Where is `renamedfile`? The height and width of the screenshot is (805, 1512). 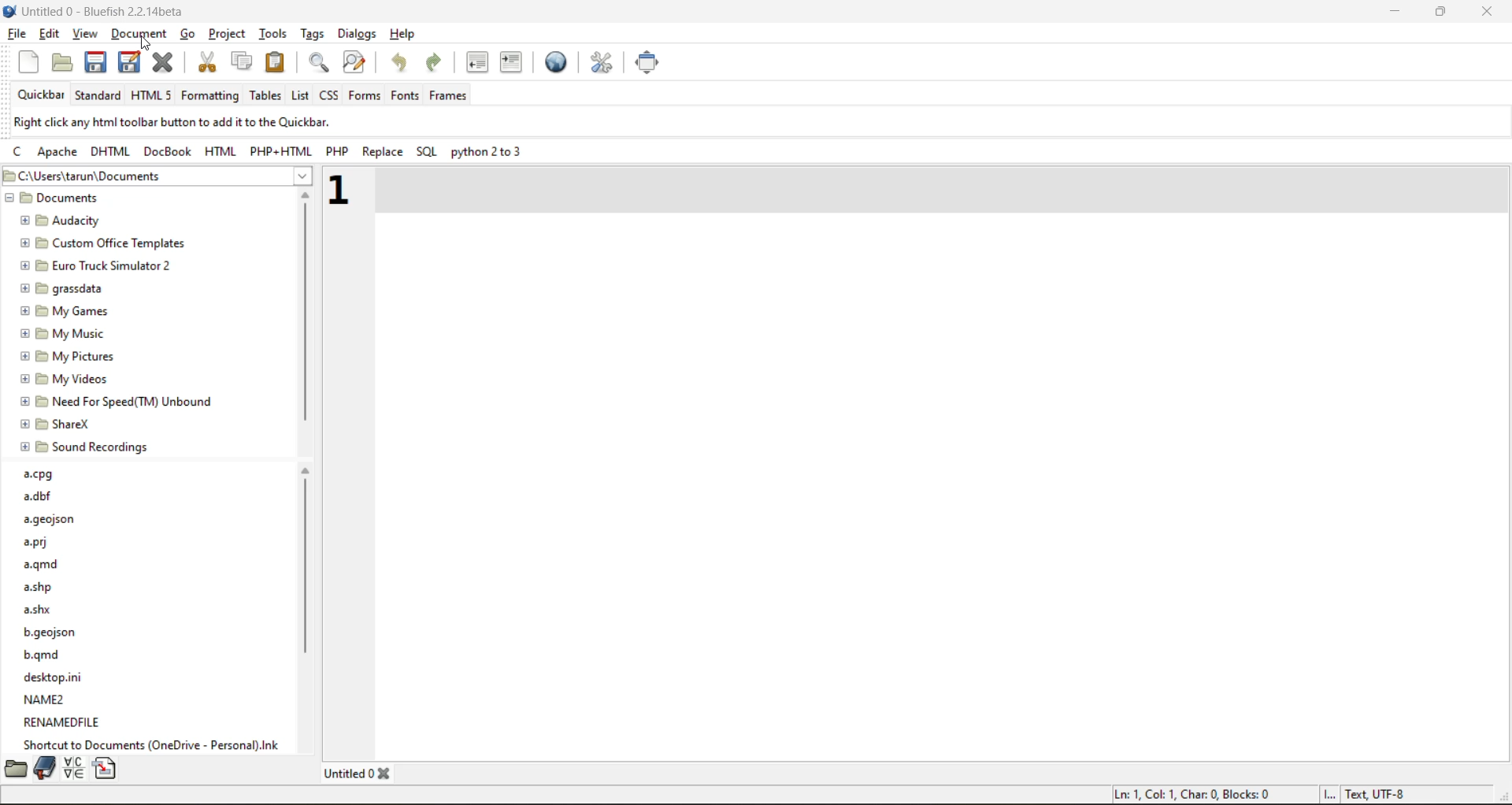
renamedfile is located at coordinates (64, 721).